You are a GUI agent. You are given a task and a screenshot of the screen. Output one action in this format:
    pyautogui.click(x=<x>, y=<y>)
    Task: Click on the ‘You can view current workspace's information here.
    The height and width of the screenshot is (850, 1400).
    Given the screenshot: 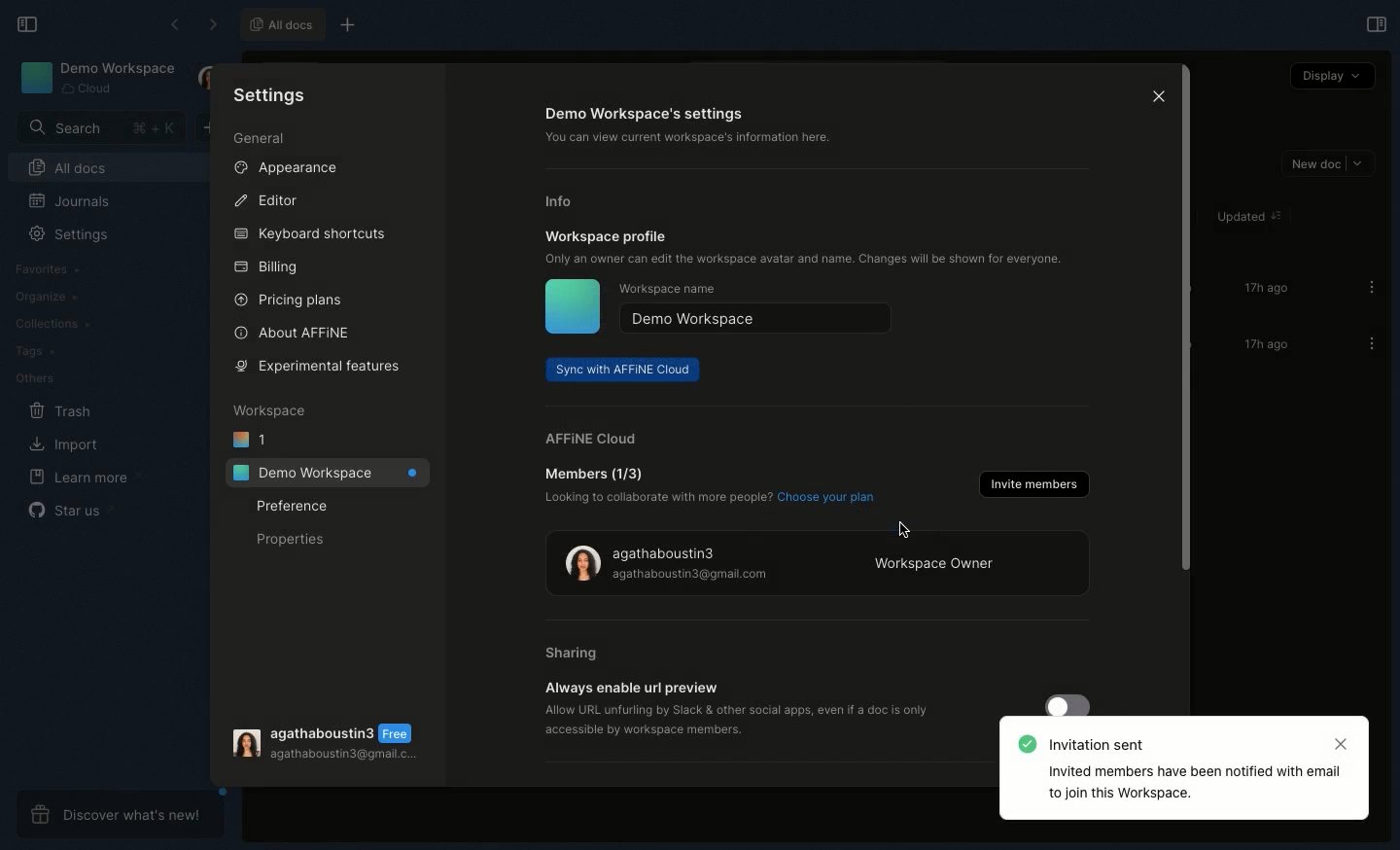 What is the action you would take?
    pyautogui.click(x=699, y=137)
    